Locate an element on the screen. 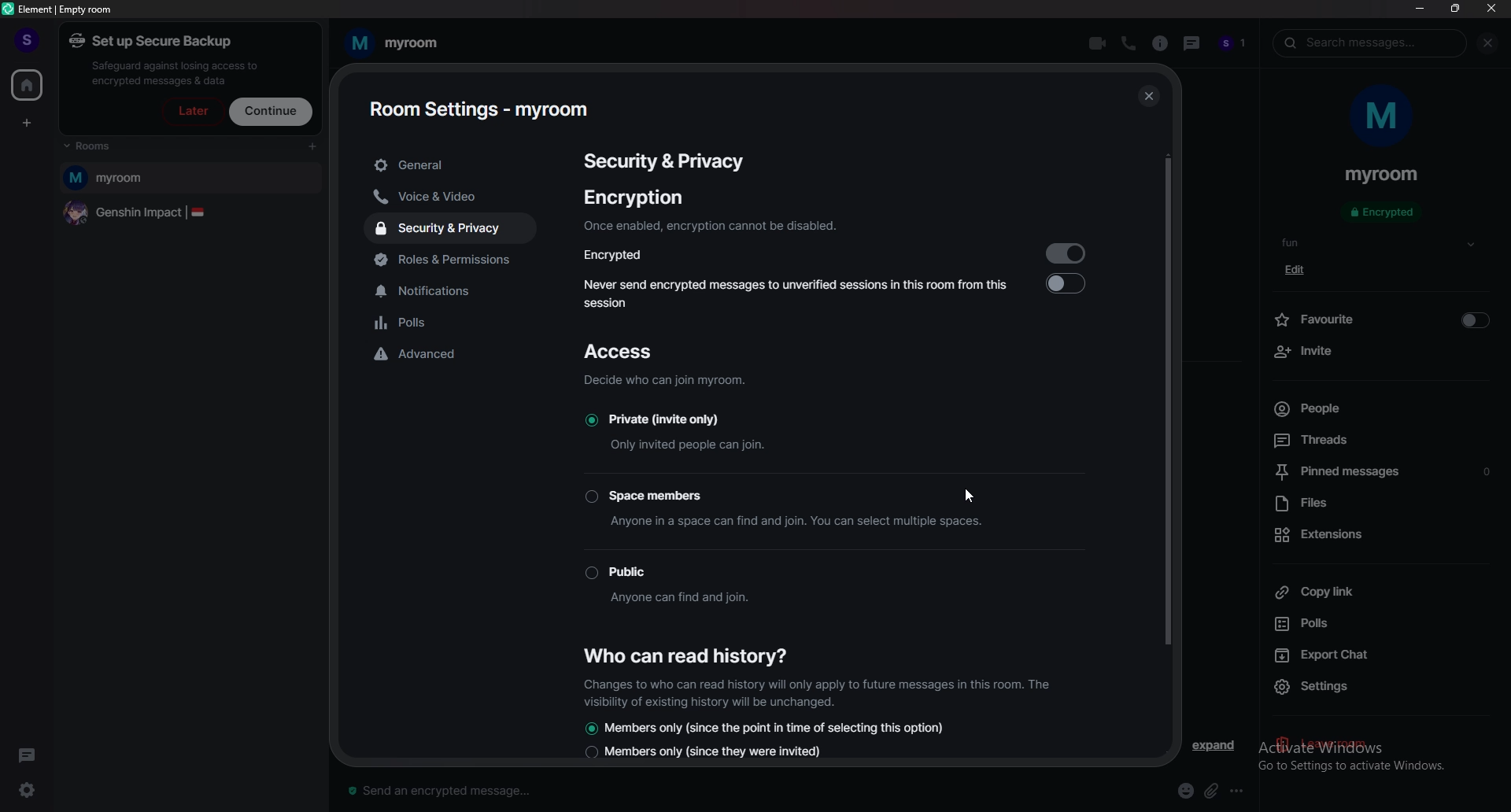 The height and width of the screenshot is (812, 1511). who can read history is located at coordinates (681, 655).